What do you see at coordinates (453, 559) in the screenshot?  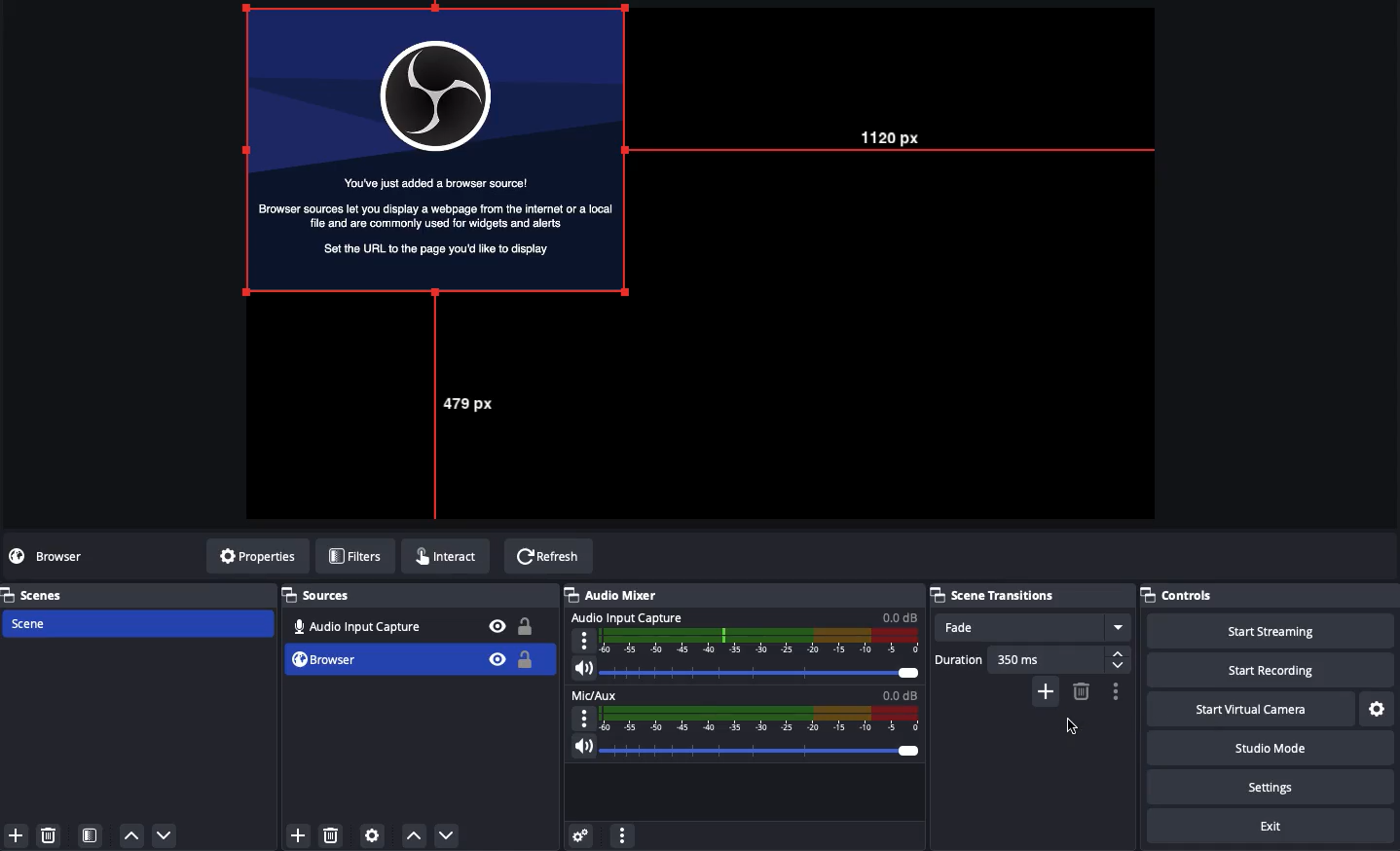 I see `Interact` at bounding box center [453, 559].